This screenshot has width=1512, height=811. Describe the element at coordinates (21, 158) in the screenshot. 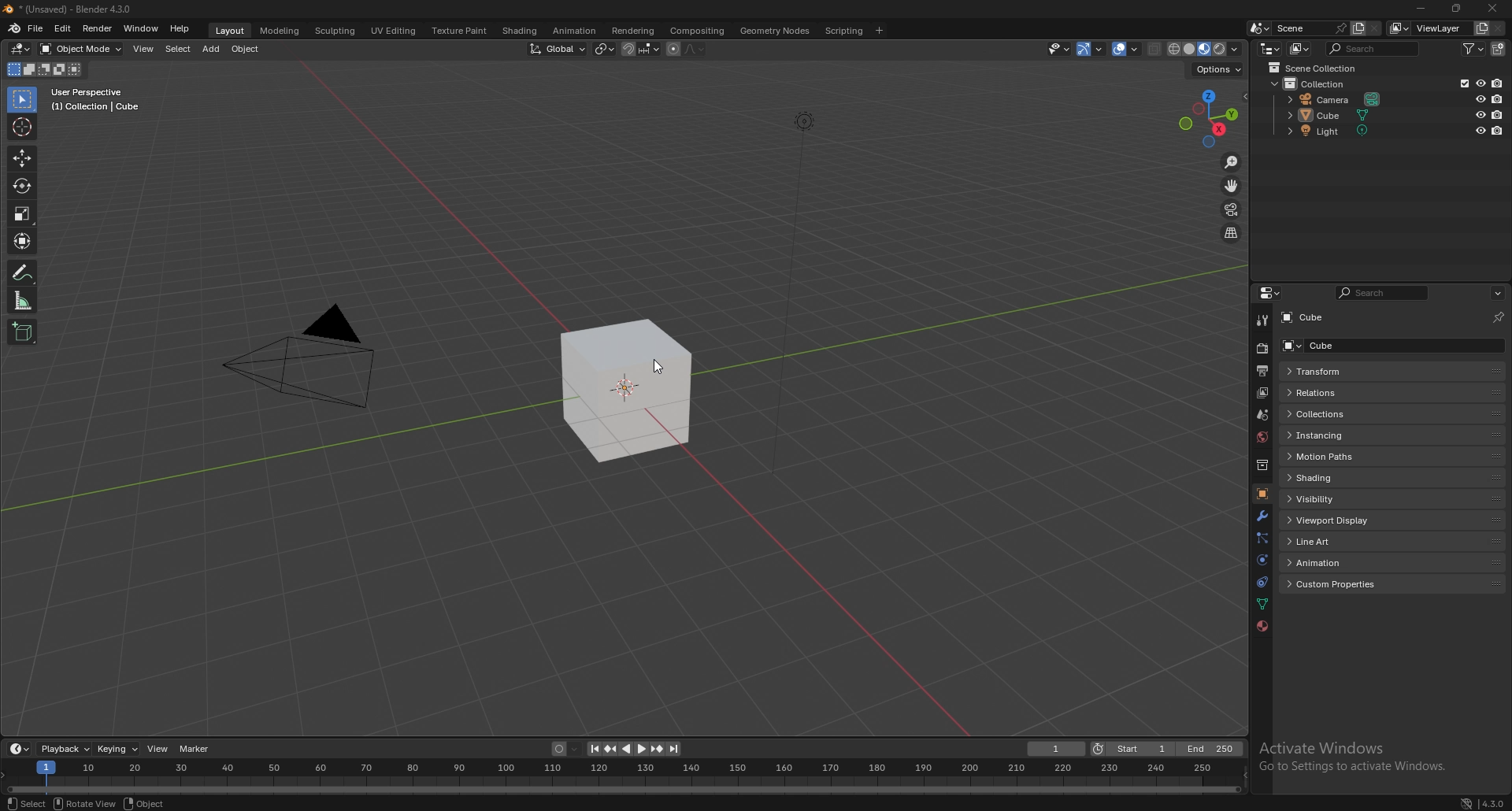

I see `move` at that location.